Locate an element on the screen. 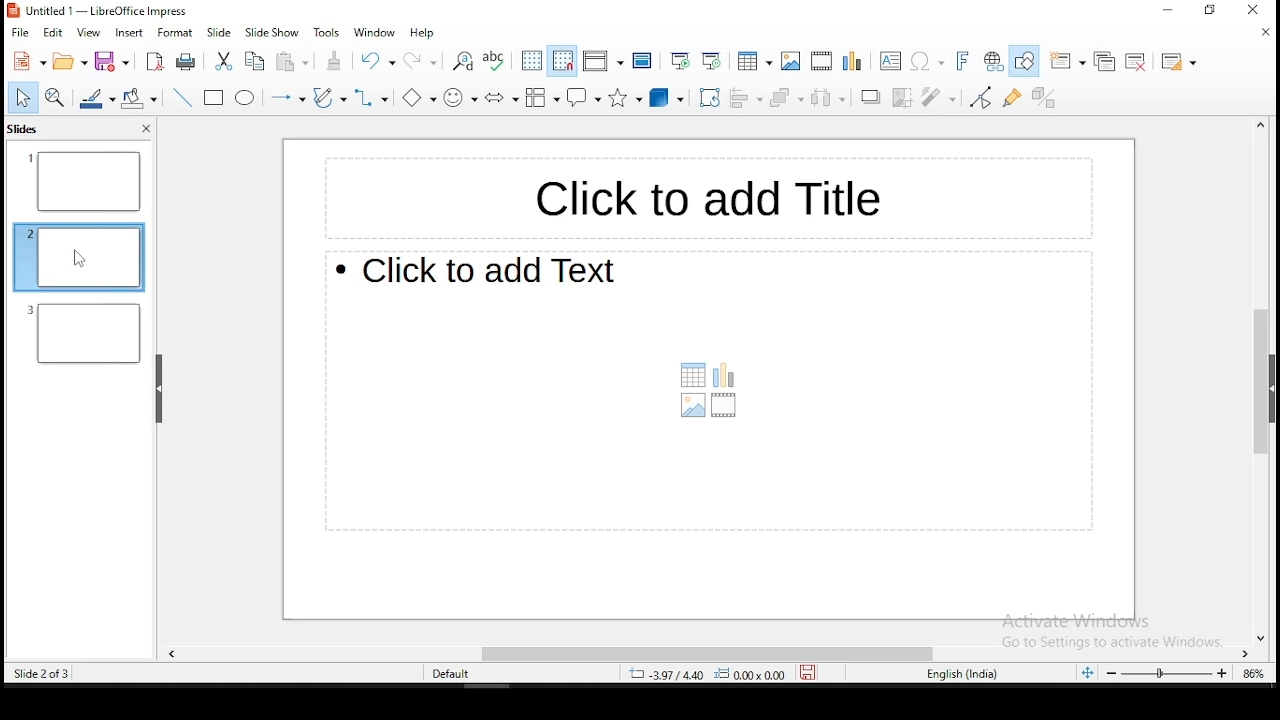 This screenshot has height=720, width=1280. window is located at coordinates (375, 32).